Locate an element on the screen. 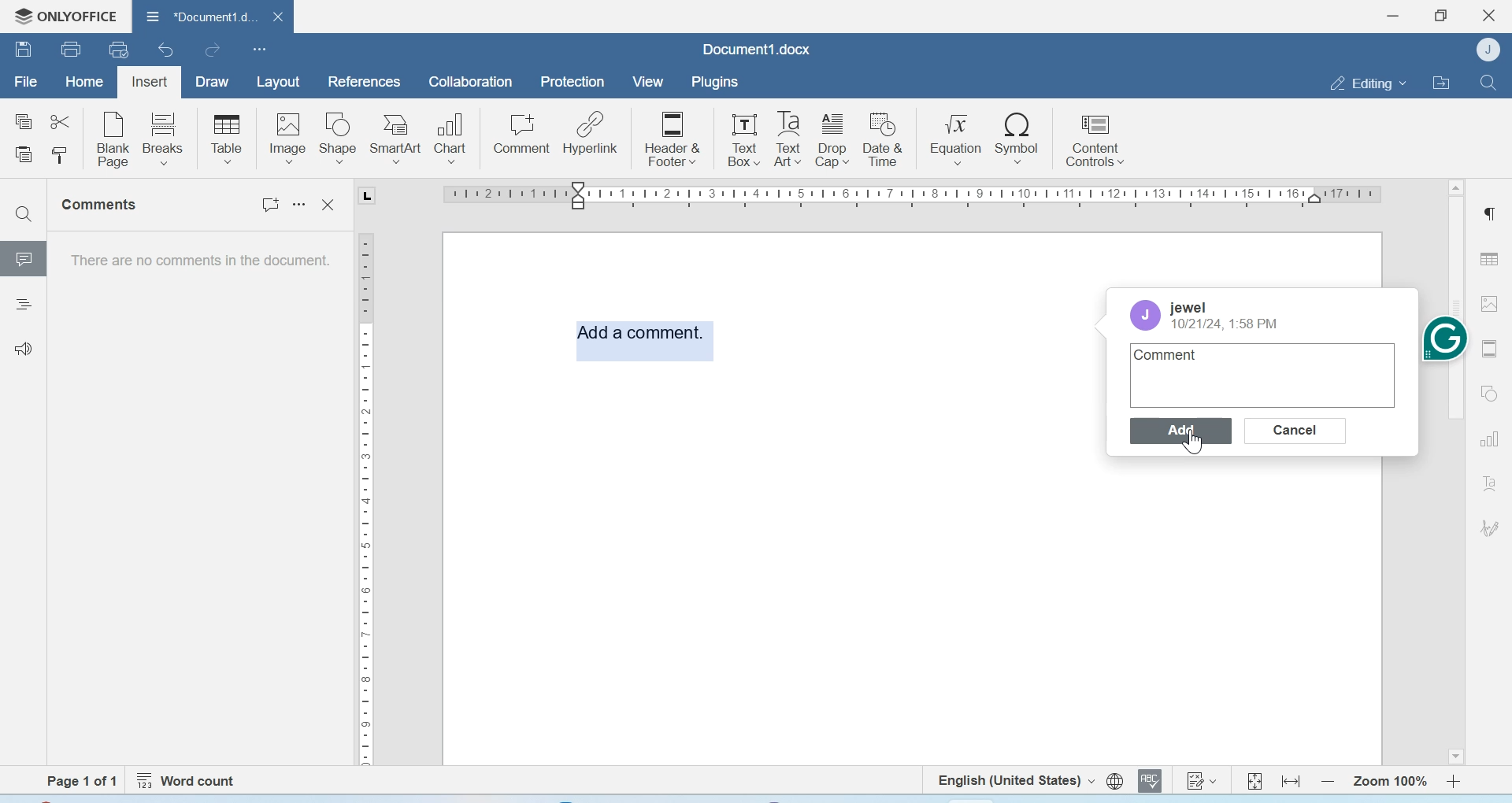 The width and height of the screenshot is (1512, 803). More is located at coordinates (302, 210).